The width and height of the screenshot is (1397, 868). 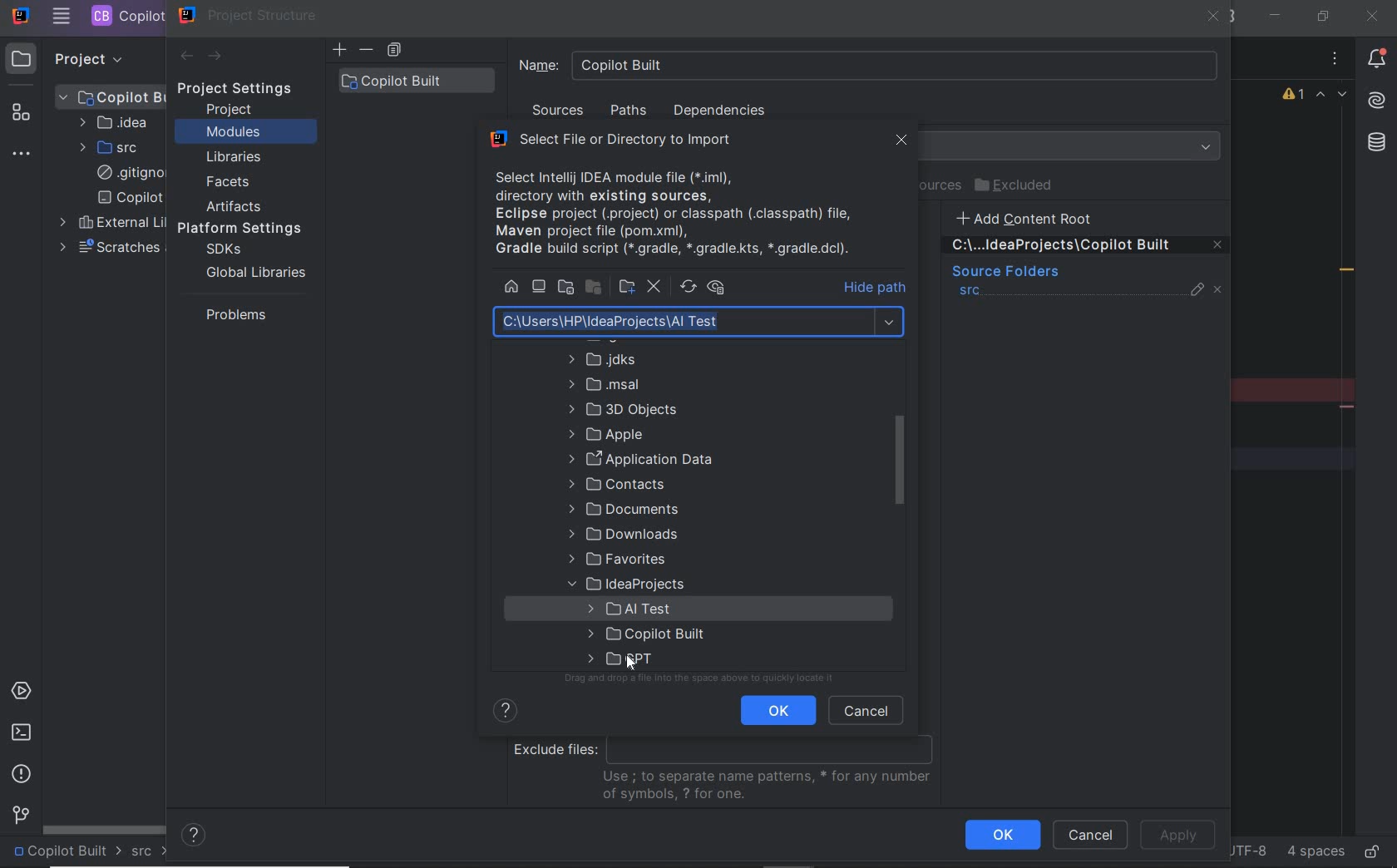 What do you see at coordinates (111, 147) in the screenshot?
I see `SRC` at bounding box center [111, 147].